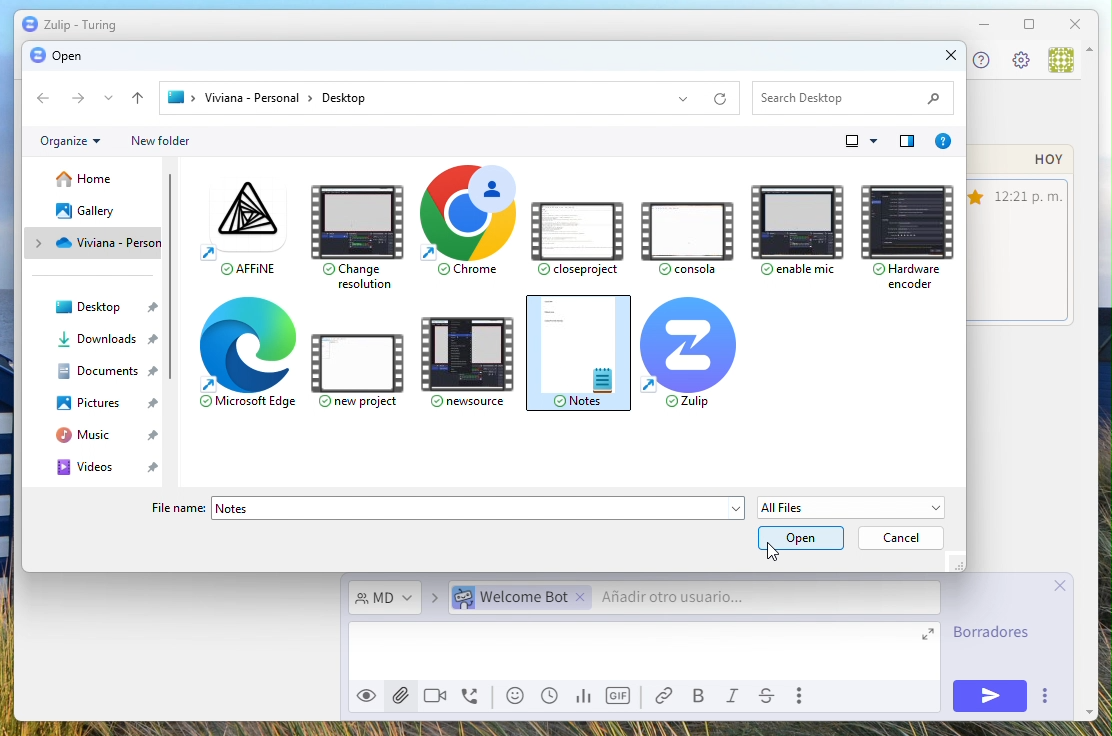  Describe the element at coordinates (580, 354) in the screenshot. I see `notes` at that location.